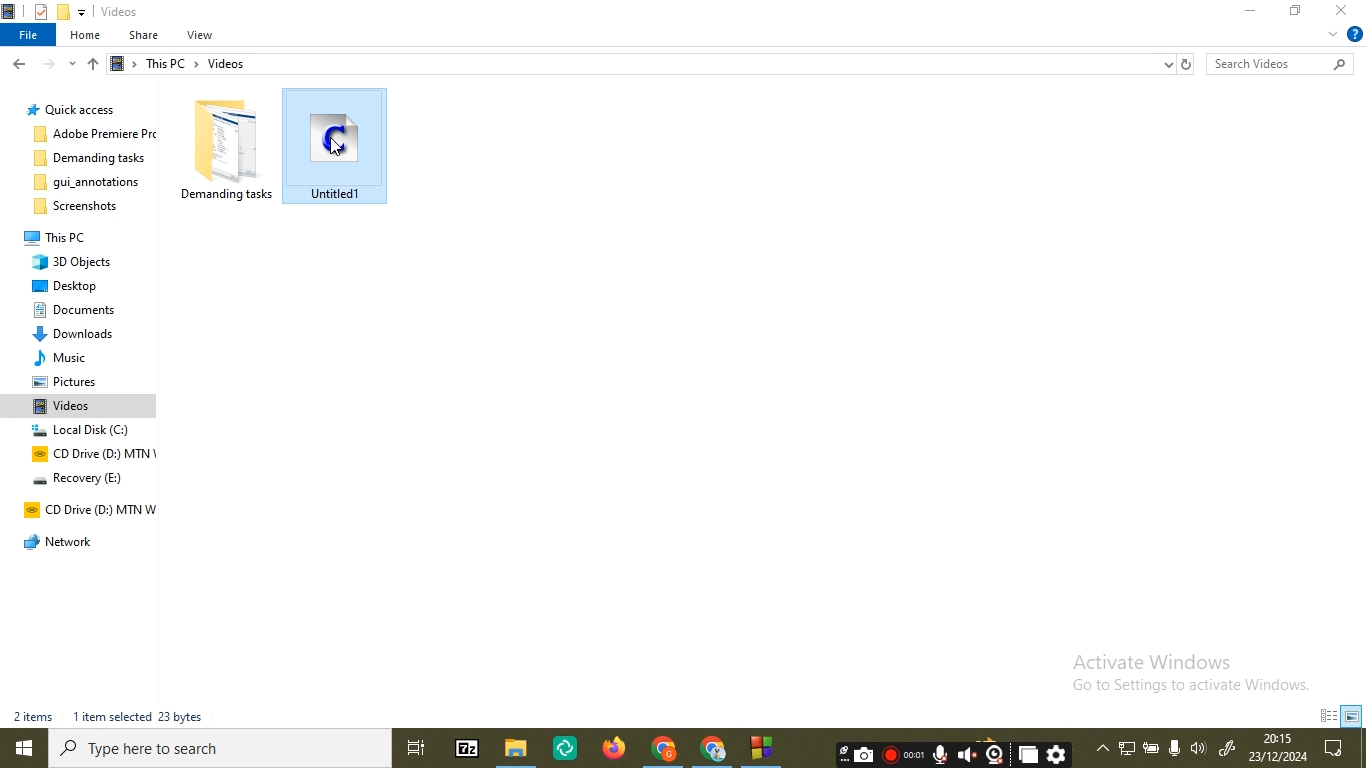  What do you see at coordinates (25, 748) in the screenshot?
I see `windows` at bounding box center [25, 748].